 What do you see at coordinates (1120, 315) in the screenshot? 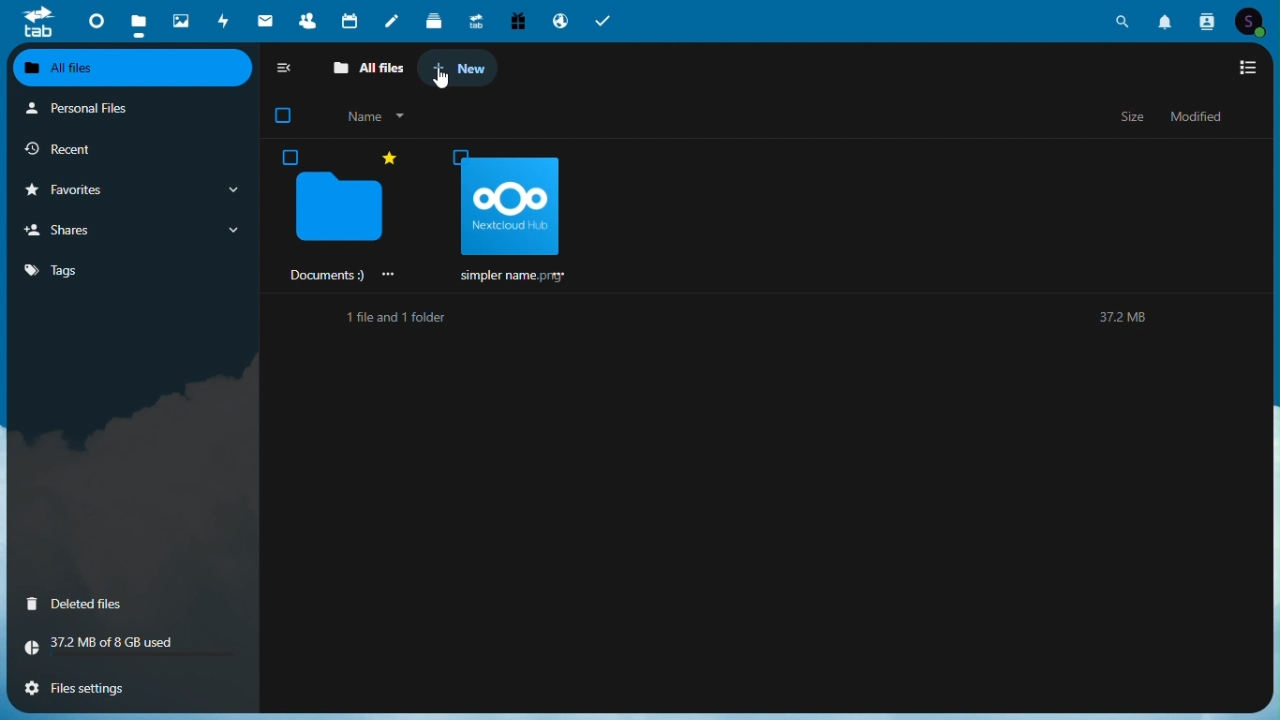
I see `372MB` at bounding box center [1120, 315].